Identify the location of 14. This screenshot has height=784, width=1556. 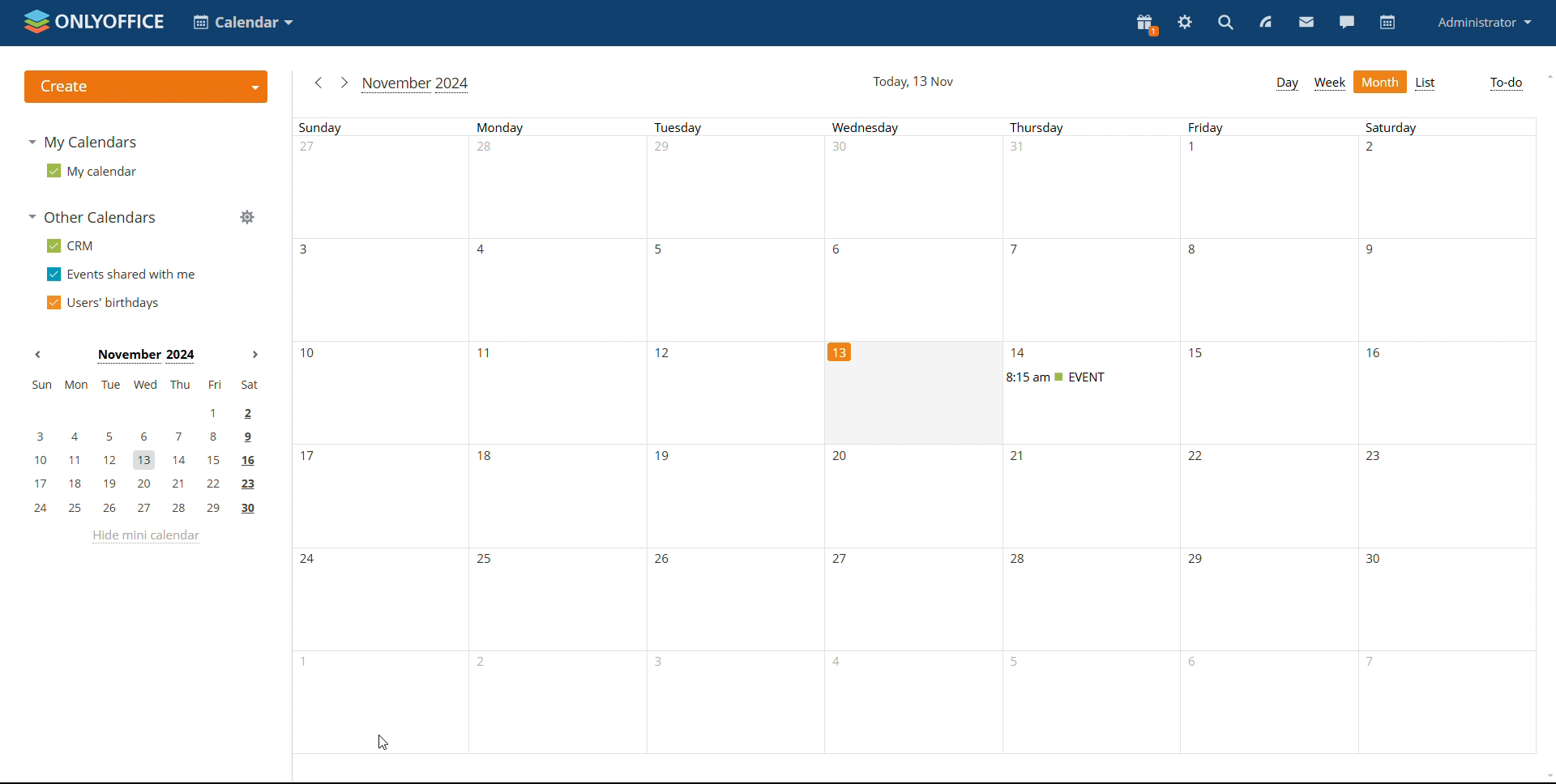
(1024, 350).